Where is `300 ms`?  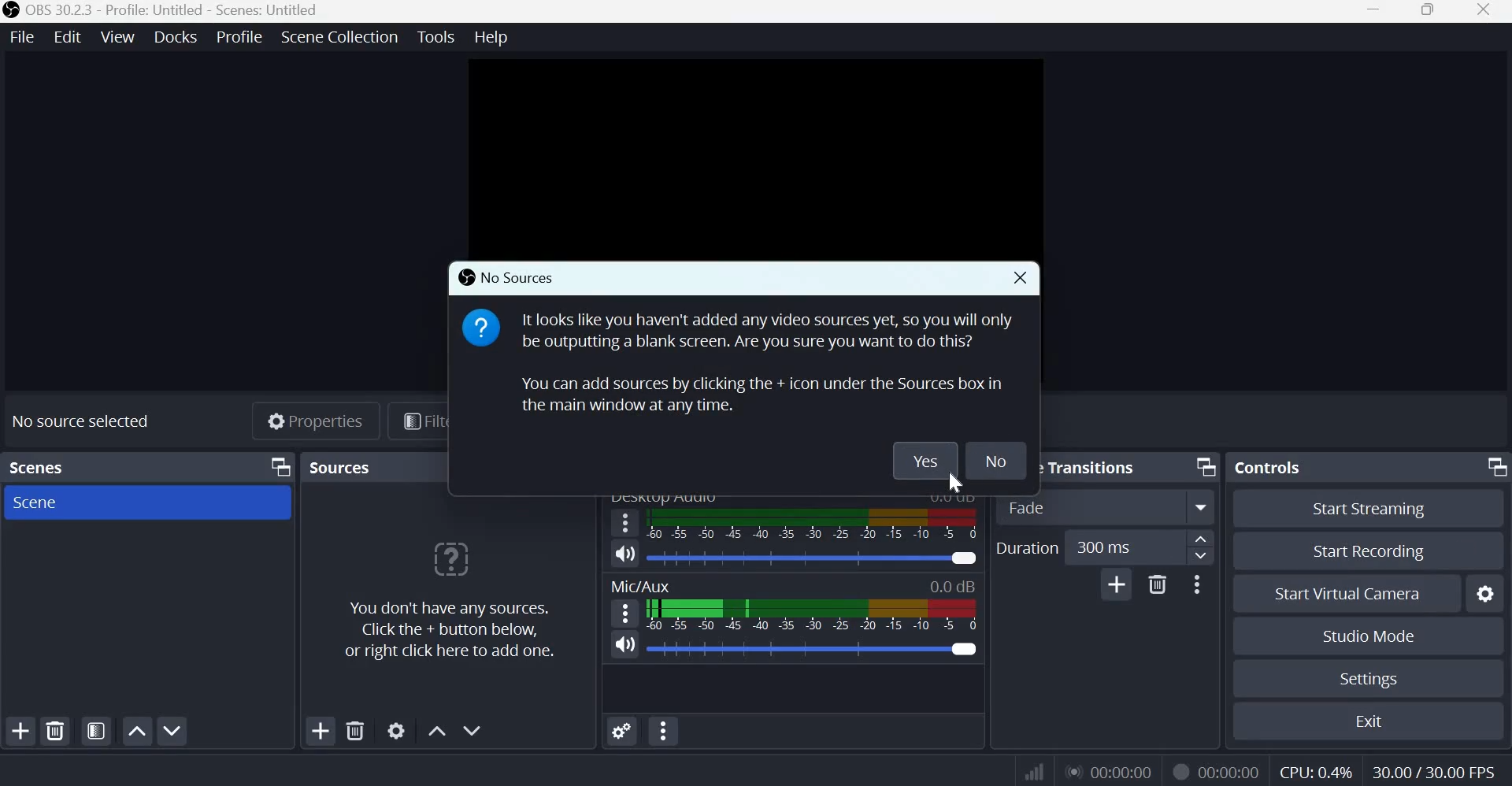
300 ms is located at coordinates (1124, 547).